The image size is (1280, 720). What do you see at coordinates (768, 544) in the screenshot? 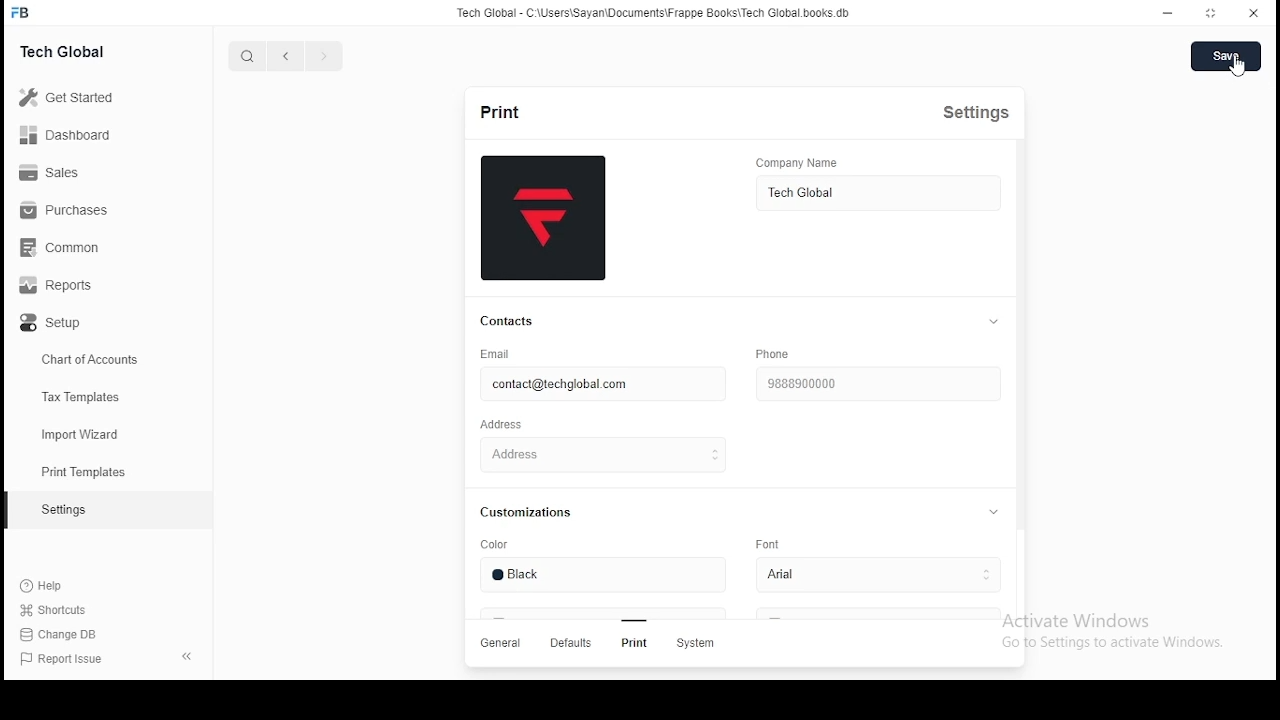
I see `Font` at bounding box center [768, 544].